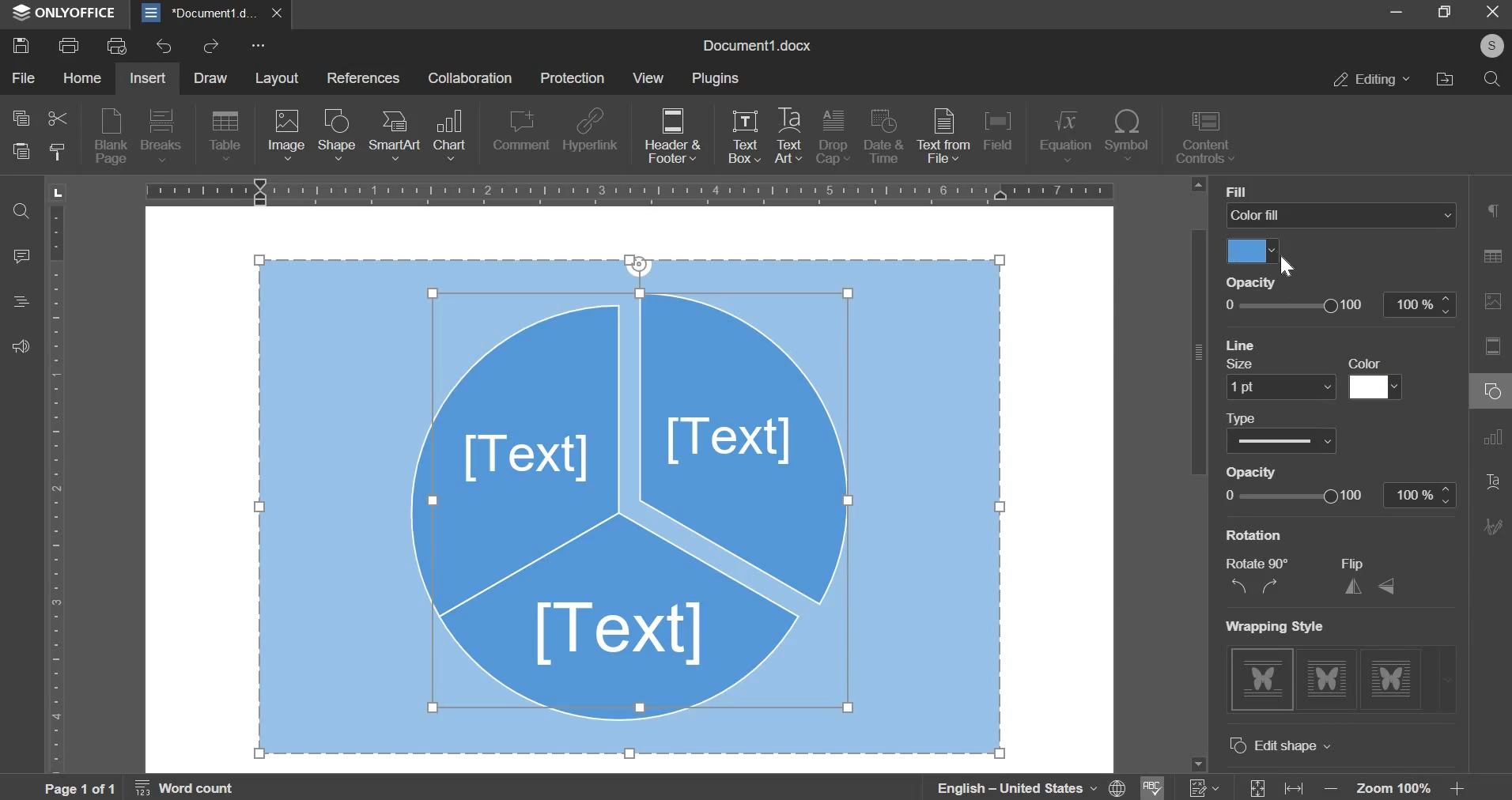  I want to click on image, so click(286, 136).